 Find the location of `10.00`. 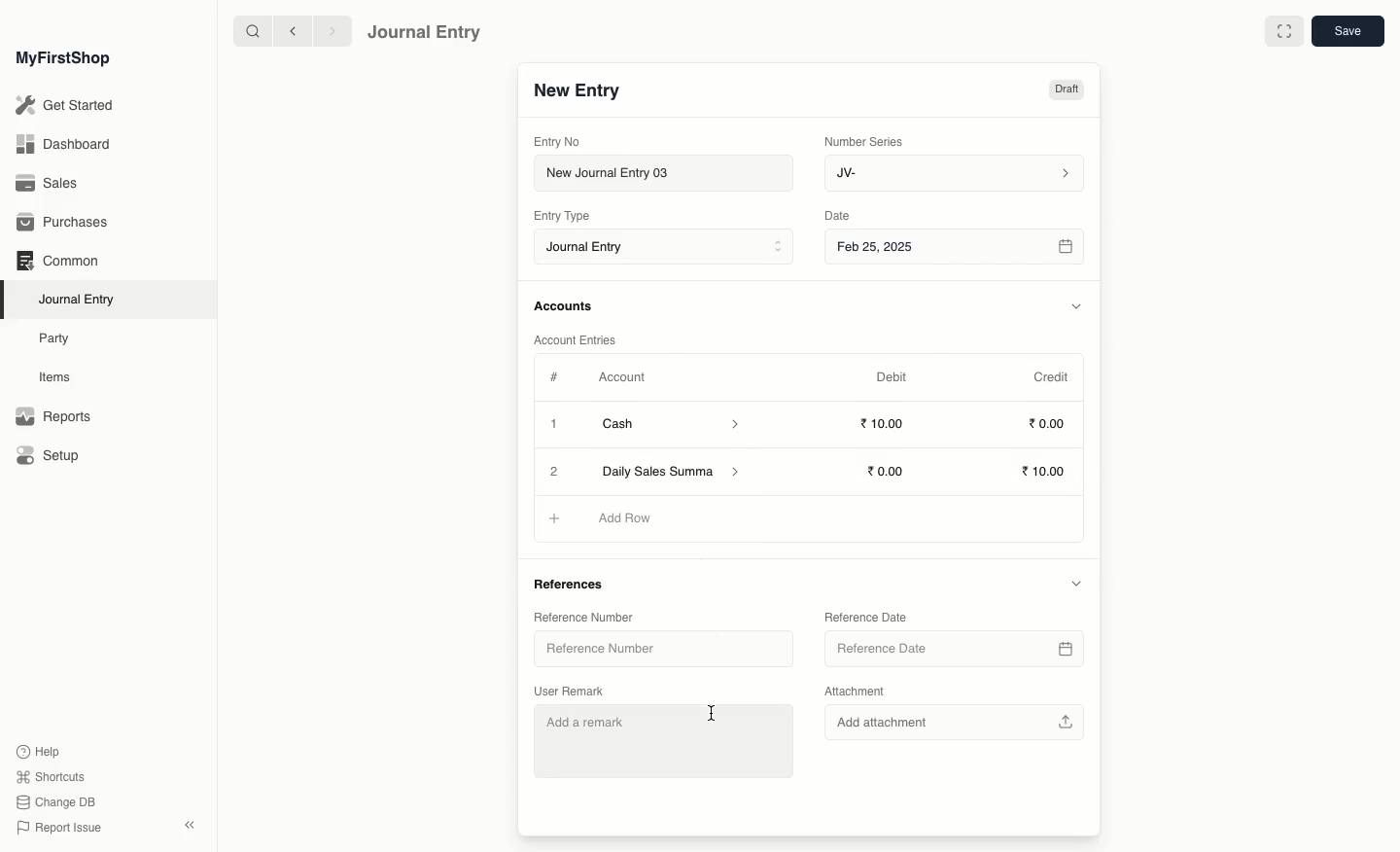

10.00 is located at coordinates (891, 471).